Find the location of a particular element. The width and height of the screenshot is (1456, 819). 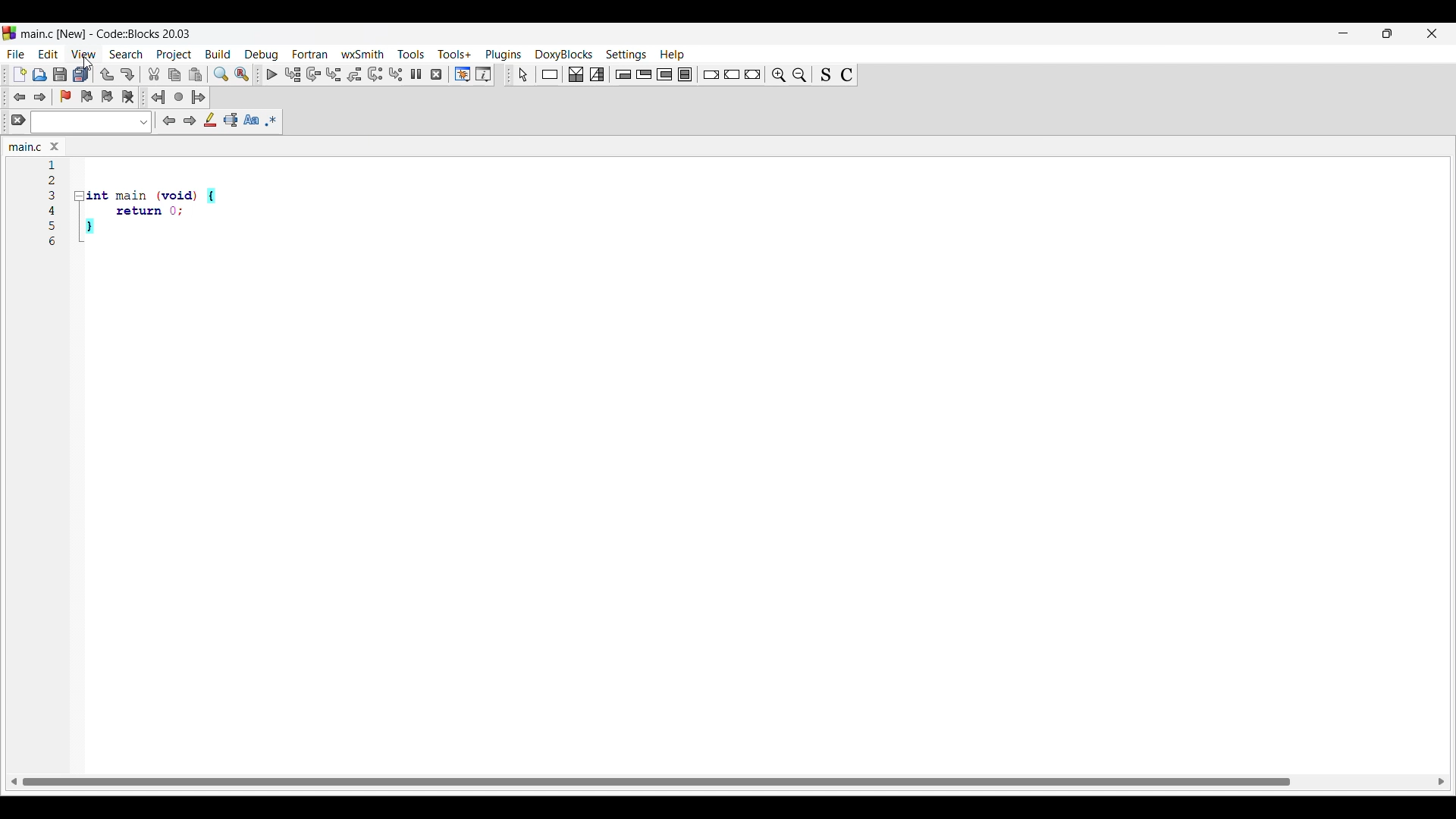

Search menu is located at coordinates (127, 55).